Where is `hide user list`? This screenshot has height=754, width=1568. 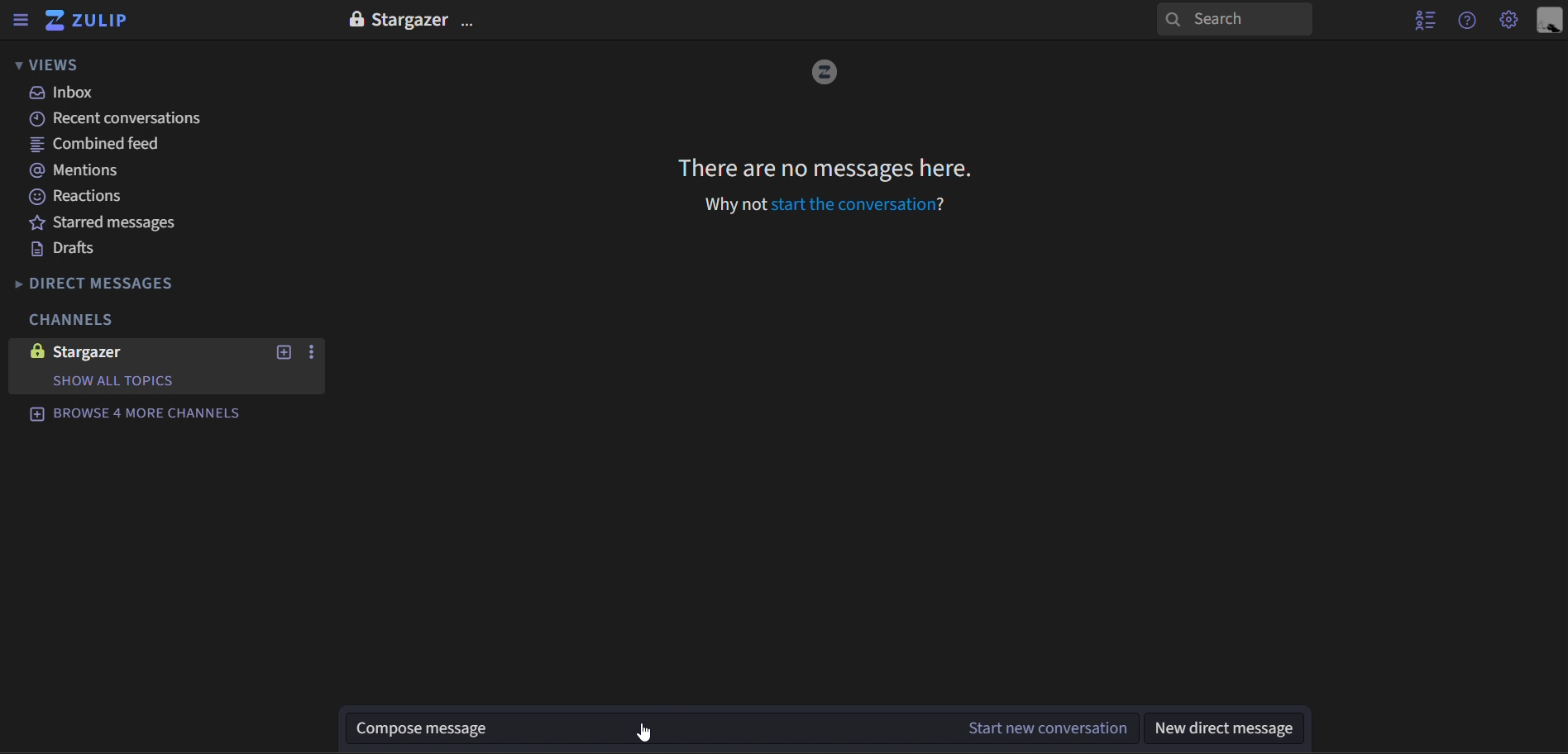
hide user list is located at coordinates (1422, 20).